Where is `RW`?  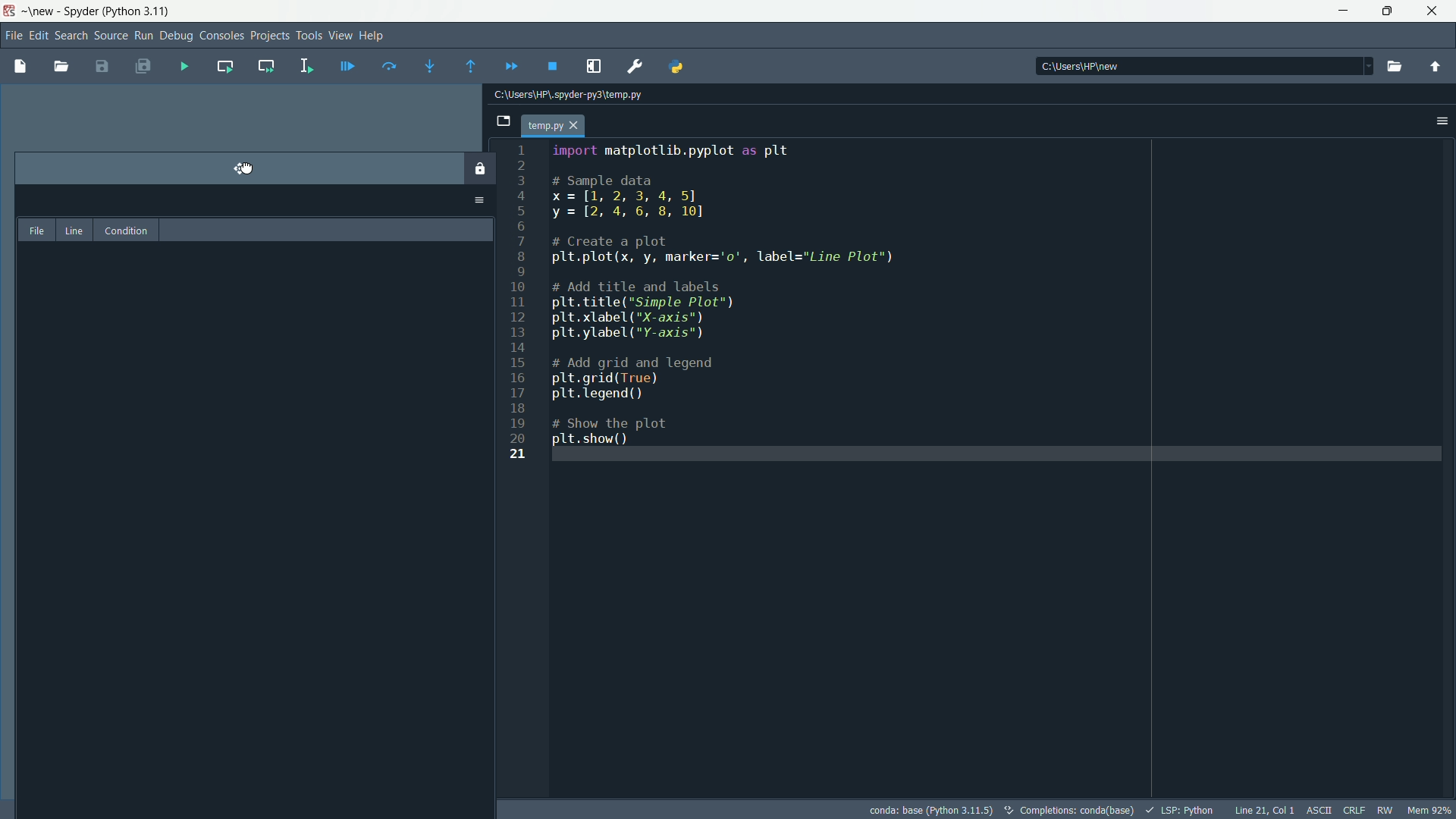 RW is located at coordinates (1388, 810).